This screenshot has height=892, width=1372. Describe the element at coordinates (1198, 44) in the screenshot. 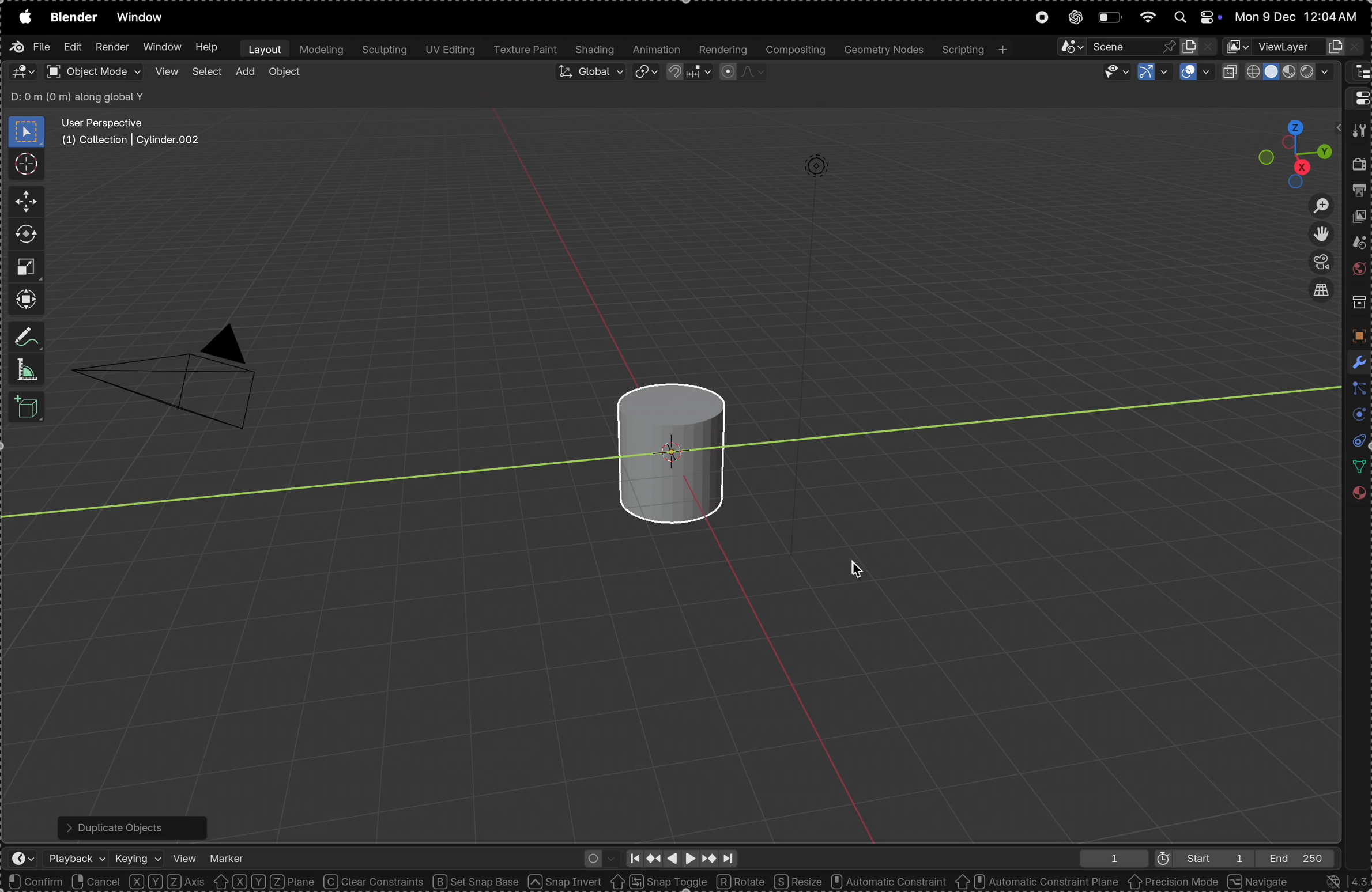

I see `new scene` at that location.